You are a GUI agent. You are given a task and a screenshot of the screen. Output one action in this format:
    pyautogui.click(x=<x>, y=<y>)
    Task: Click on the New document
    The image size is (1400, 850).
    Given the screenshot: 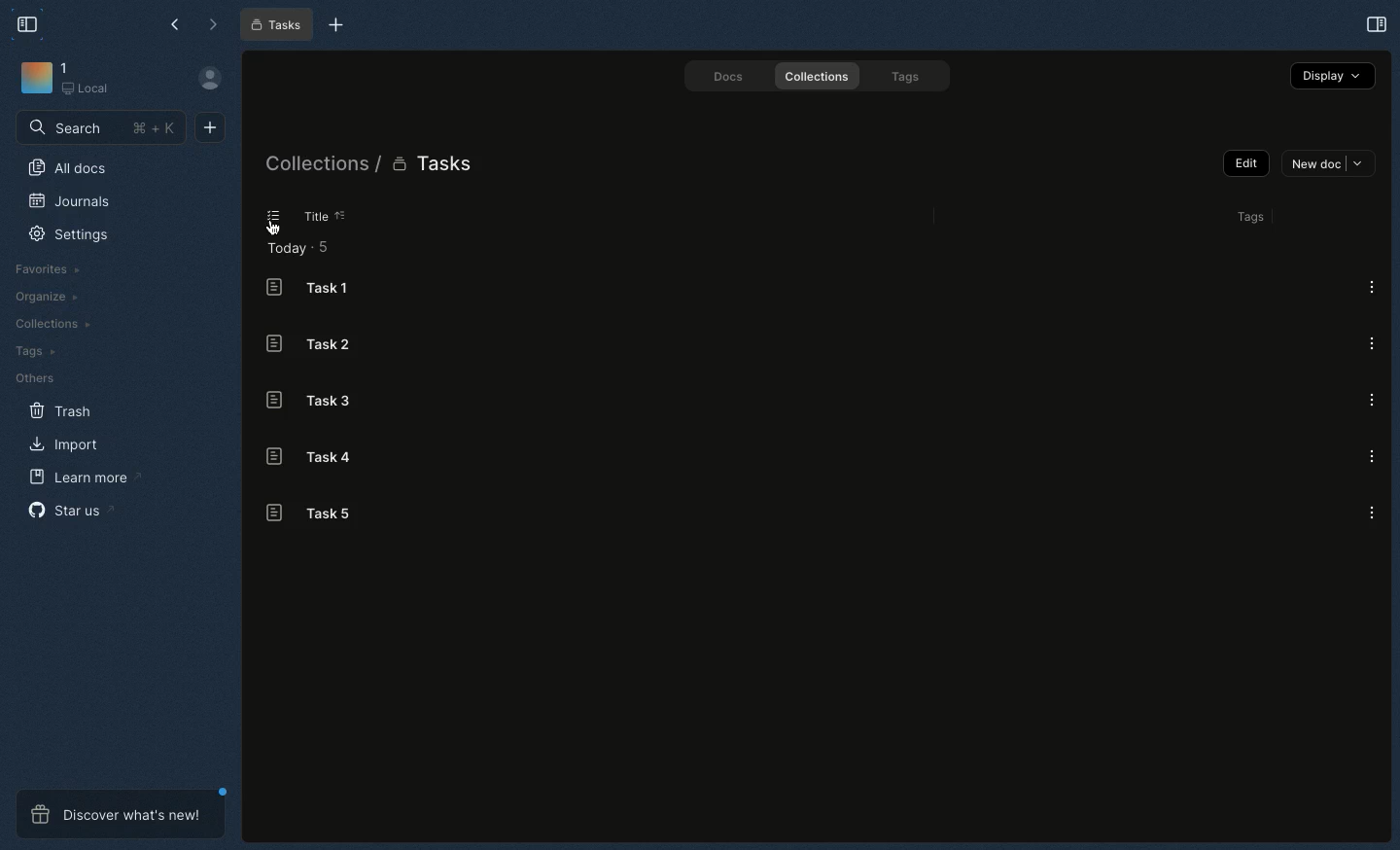 What is the action you would take?
    pyautogui.click(x=210, y=128)
    